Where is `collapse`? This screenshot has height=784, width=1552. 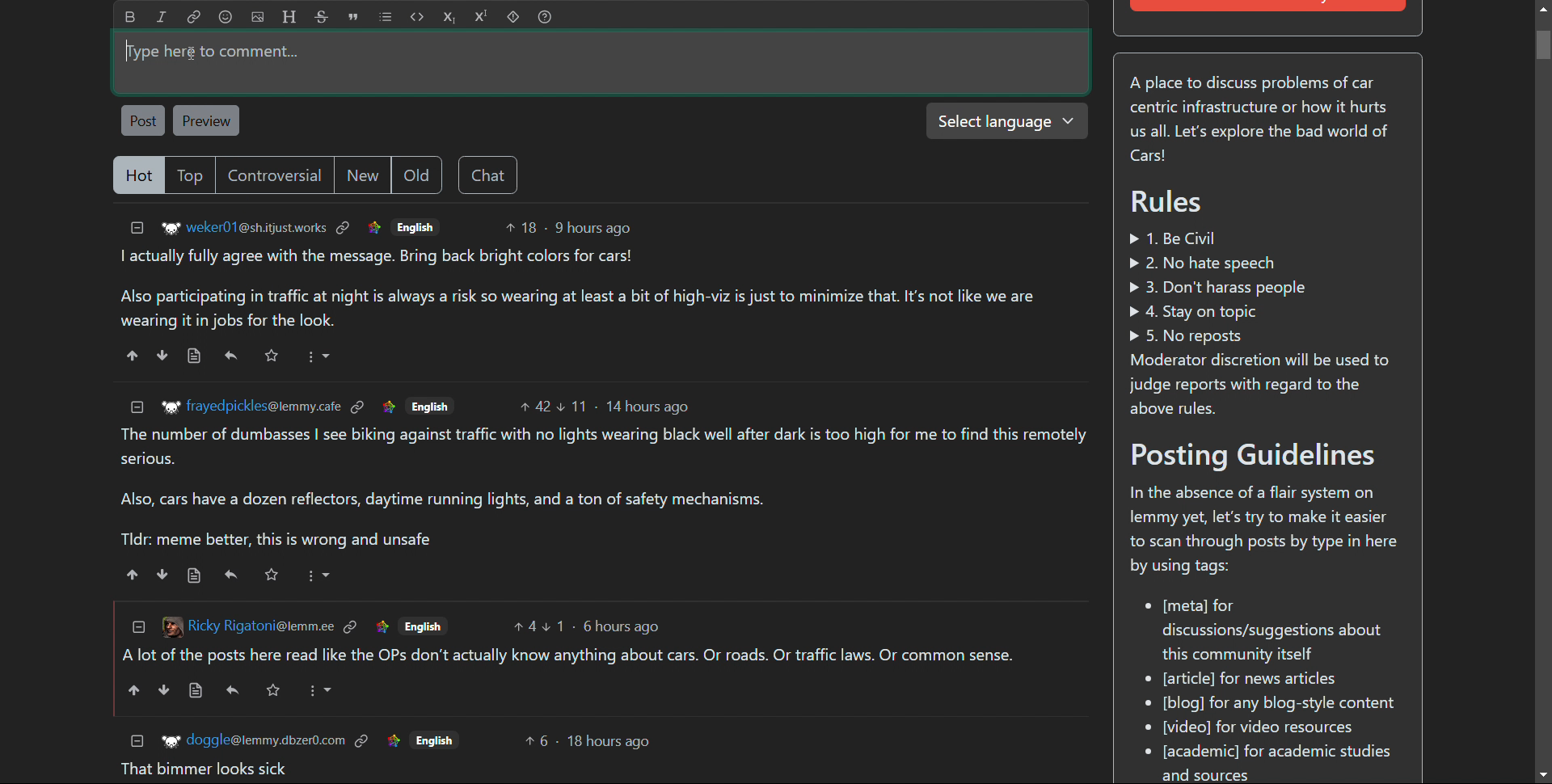
collapse is located at coordinates (137, 407).